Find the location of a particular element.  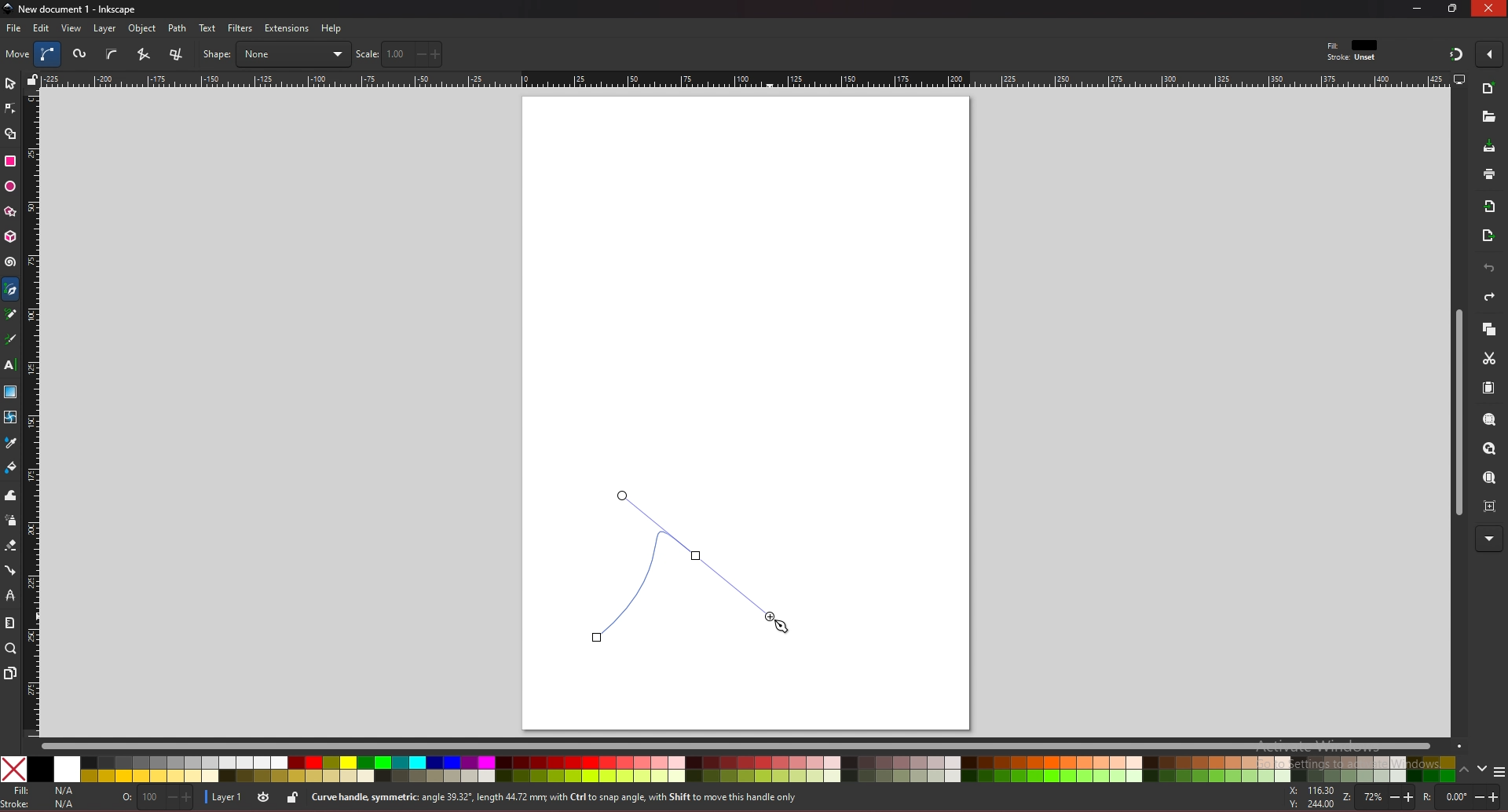

lock is located at coordinates (292, 797).